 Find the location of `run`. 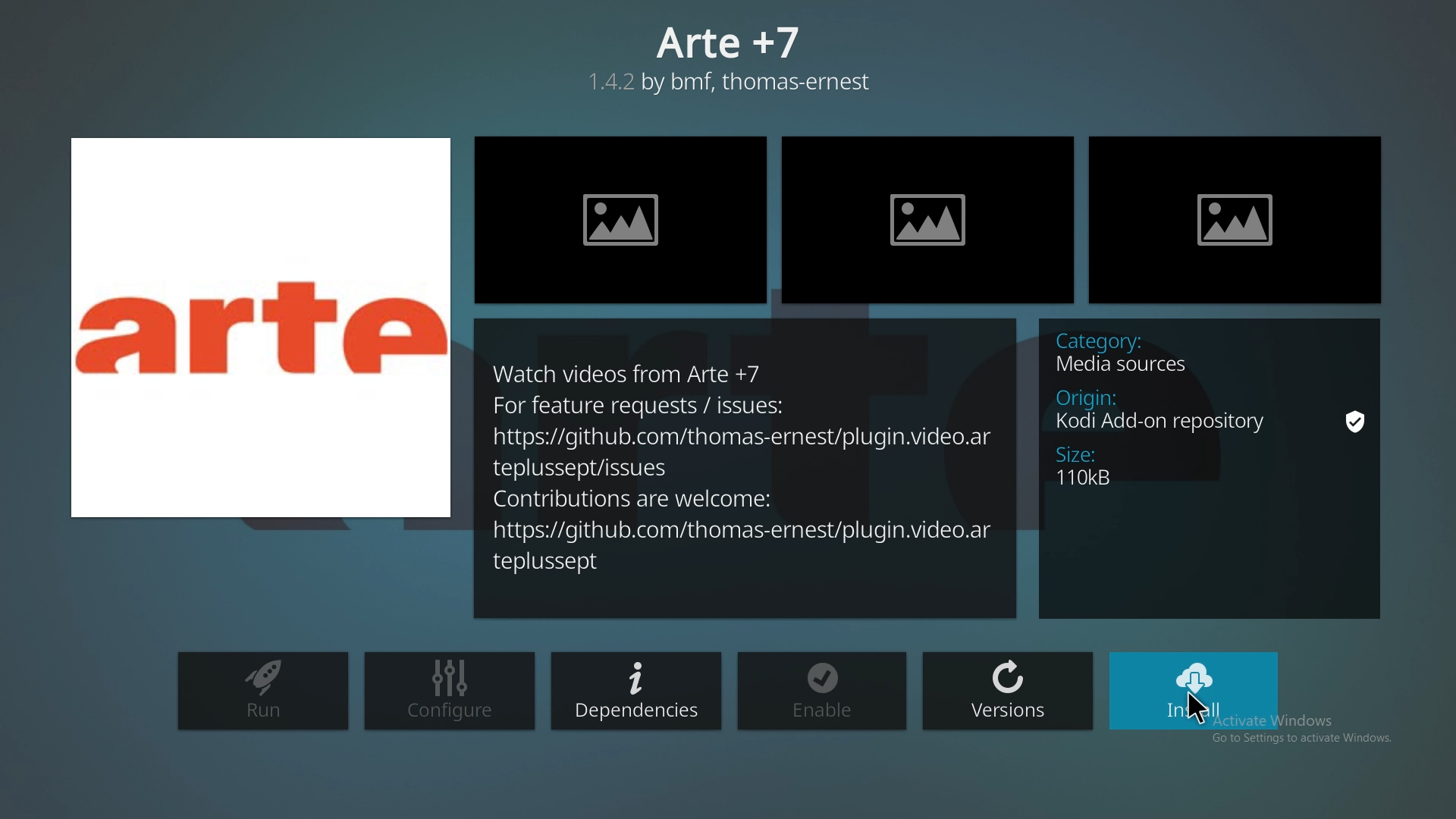

run is located at coordinates (265, 690).